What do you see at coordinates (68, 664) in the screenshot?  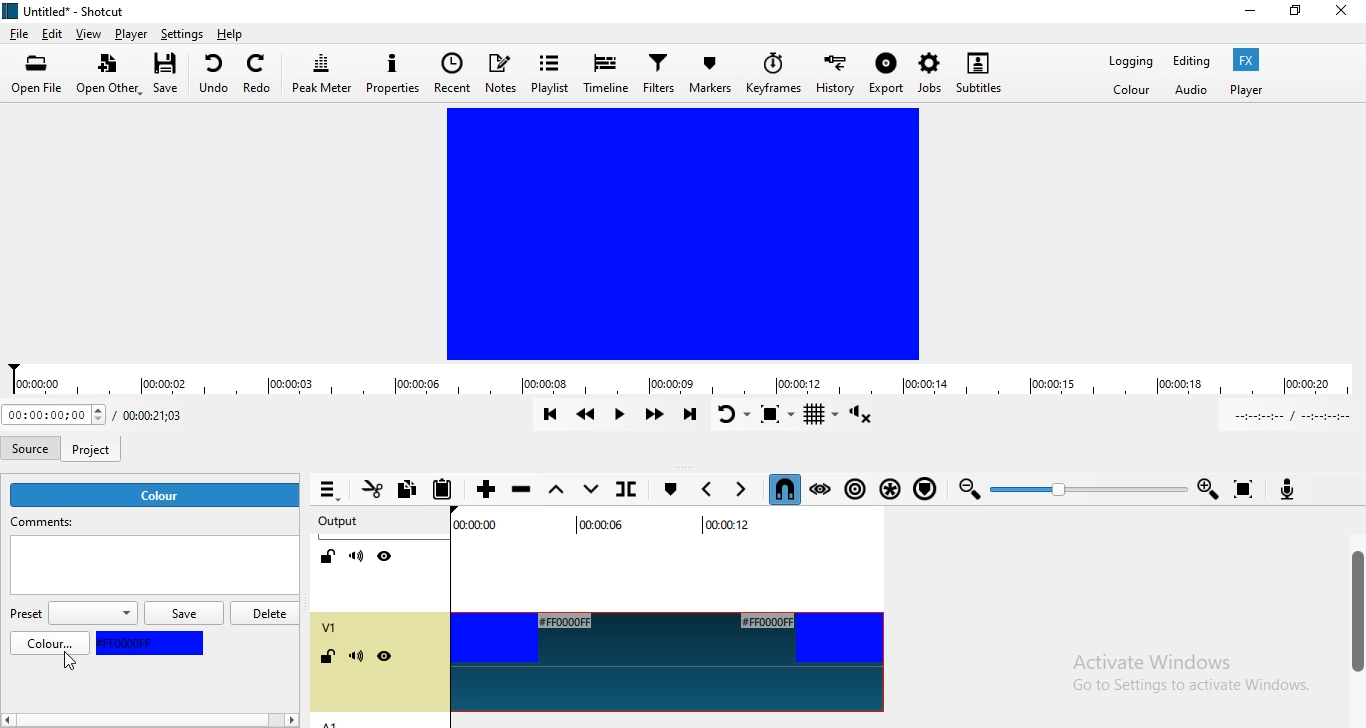 I see `cursor` at bounding box center [68, 664].